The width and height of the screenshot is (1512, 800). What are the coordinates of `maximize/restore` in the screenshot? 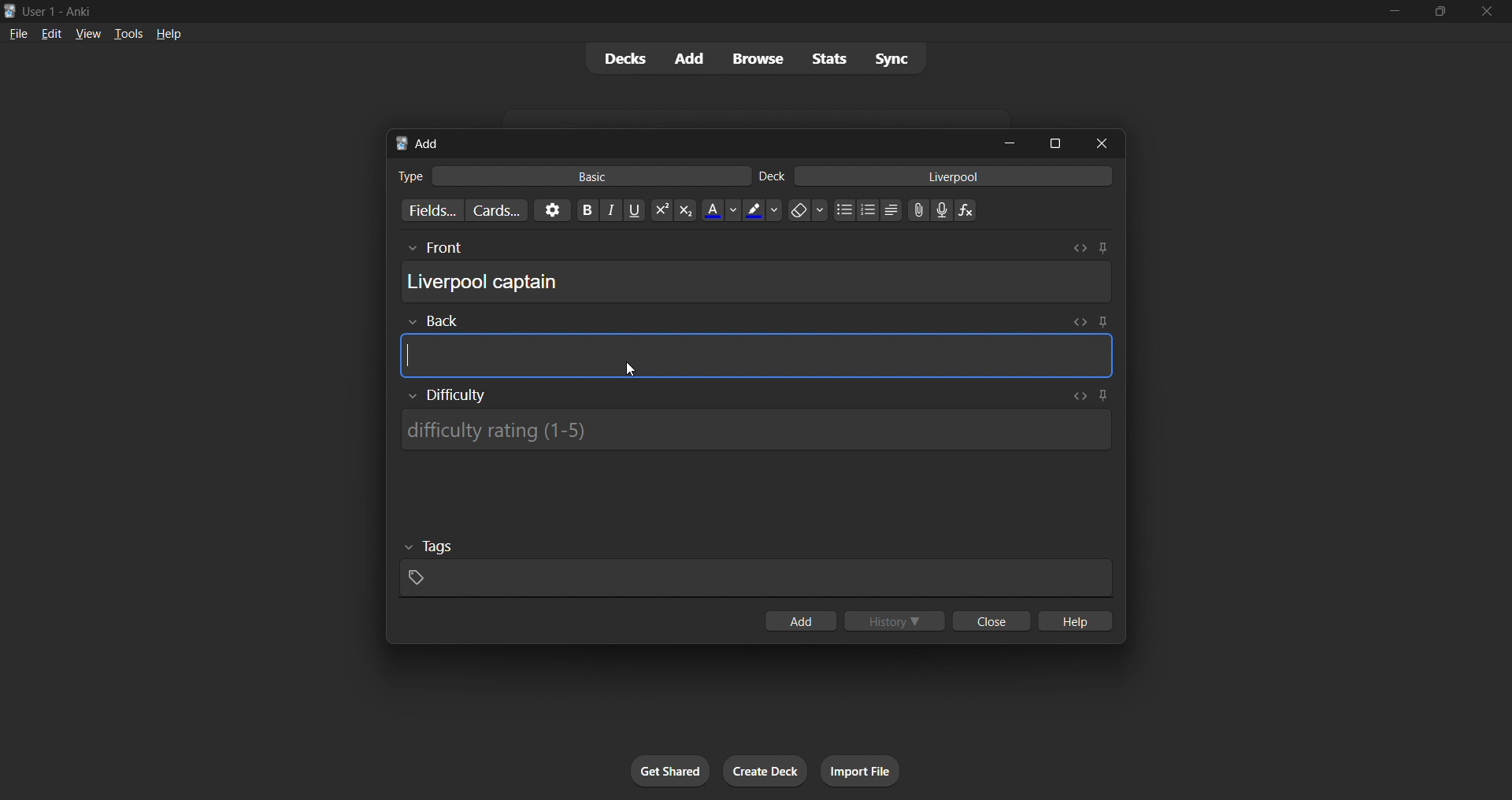 It's located at (1440, 12).